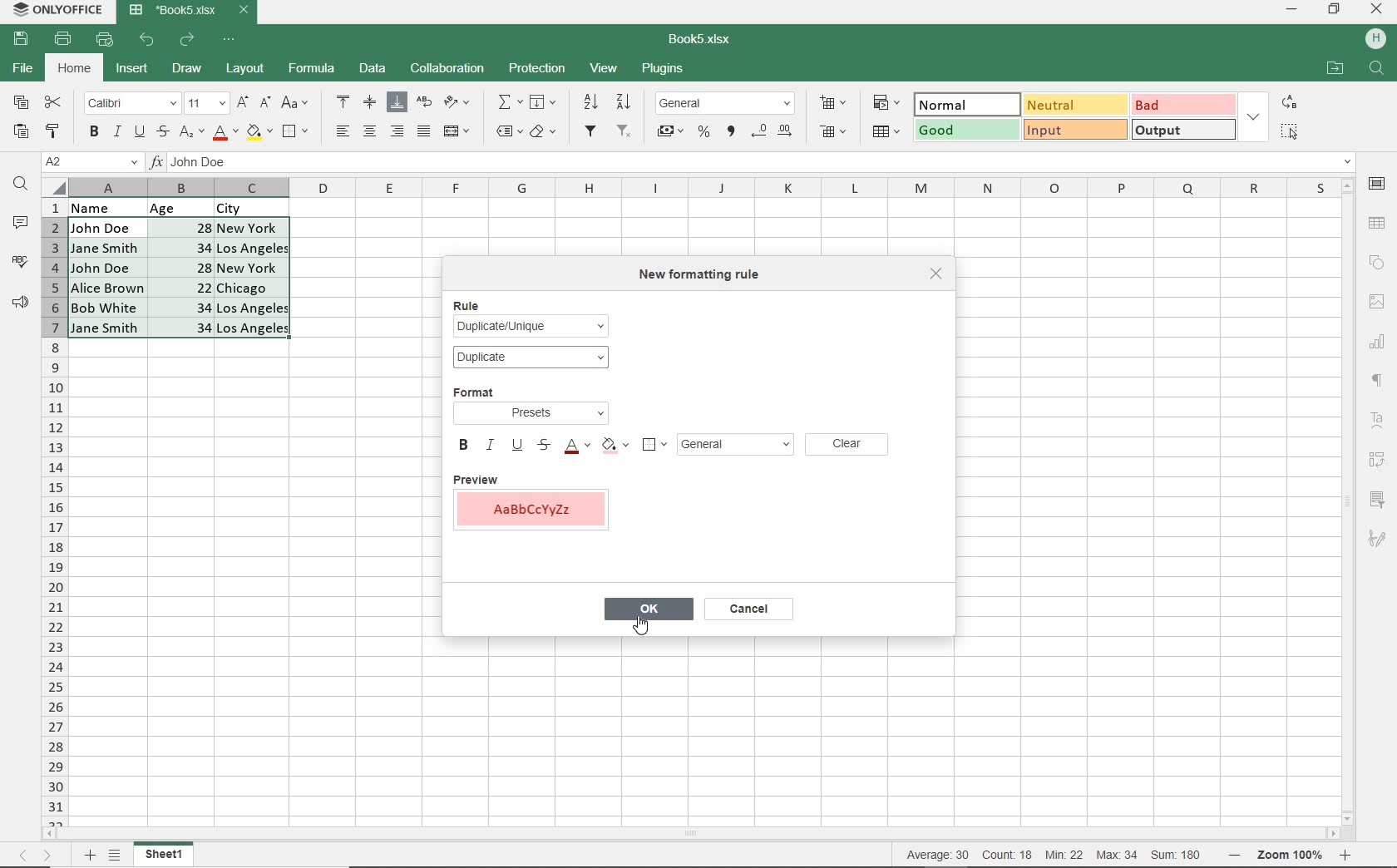 This screenshot has width=1397, height=868. I want to click on UNDO, so click(149, 40).